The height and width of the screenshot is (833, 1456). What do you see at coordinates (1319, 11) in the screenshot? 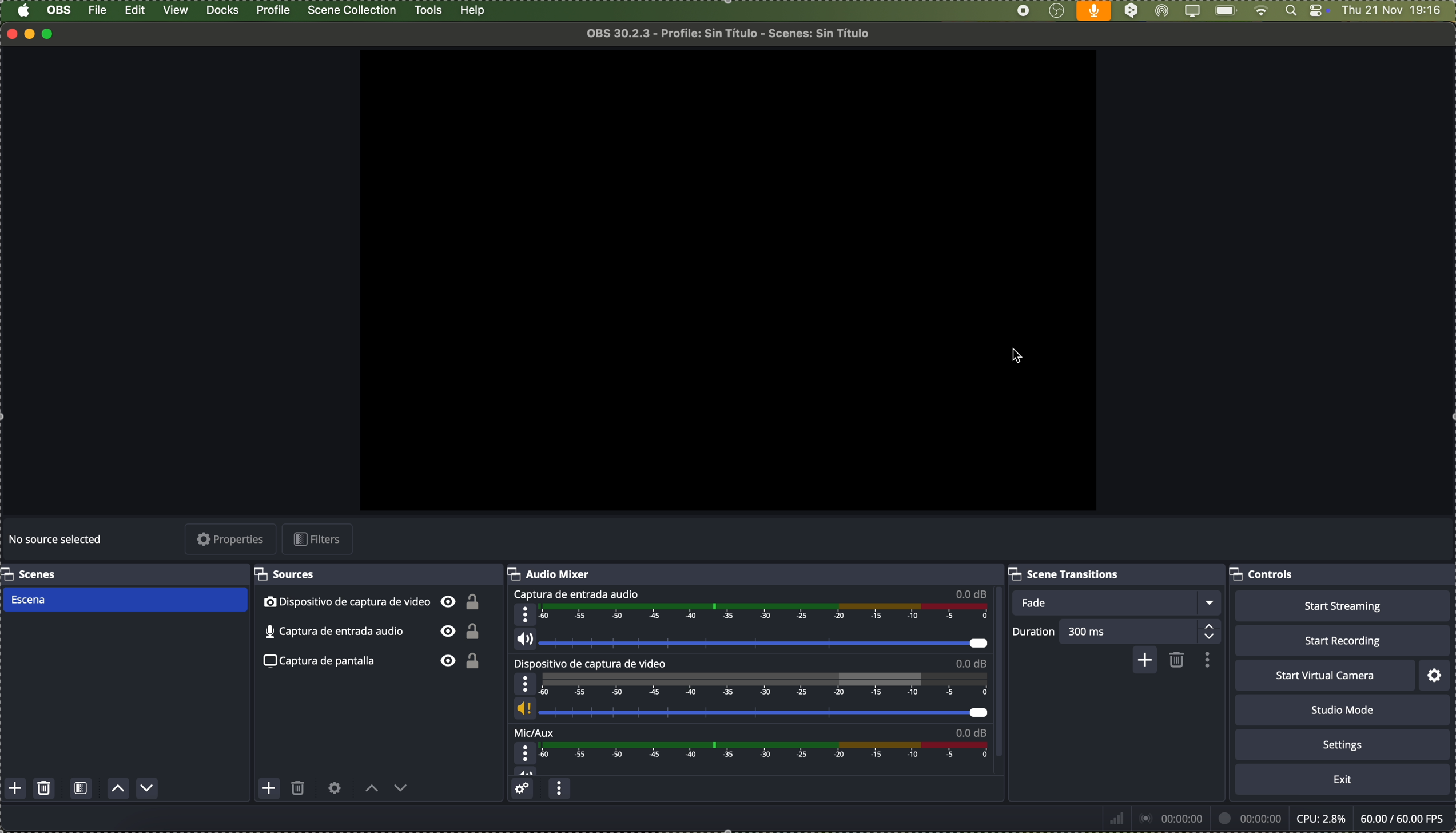
I see `controls` at bounding box center [1319, 11].